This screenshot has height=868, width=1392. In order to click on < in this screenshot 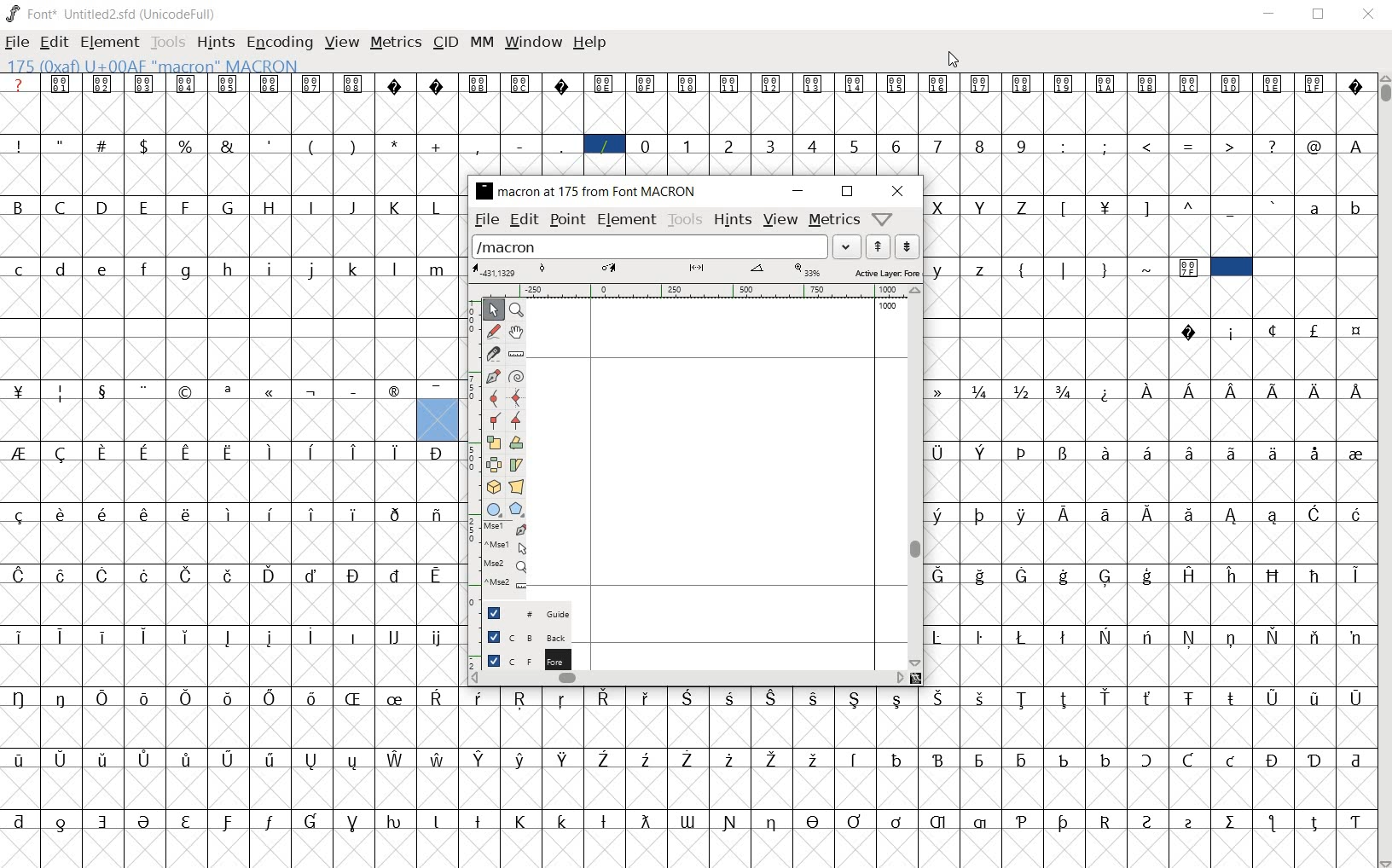, I will do `click(1149, 146)`.